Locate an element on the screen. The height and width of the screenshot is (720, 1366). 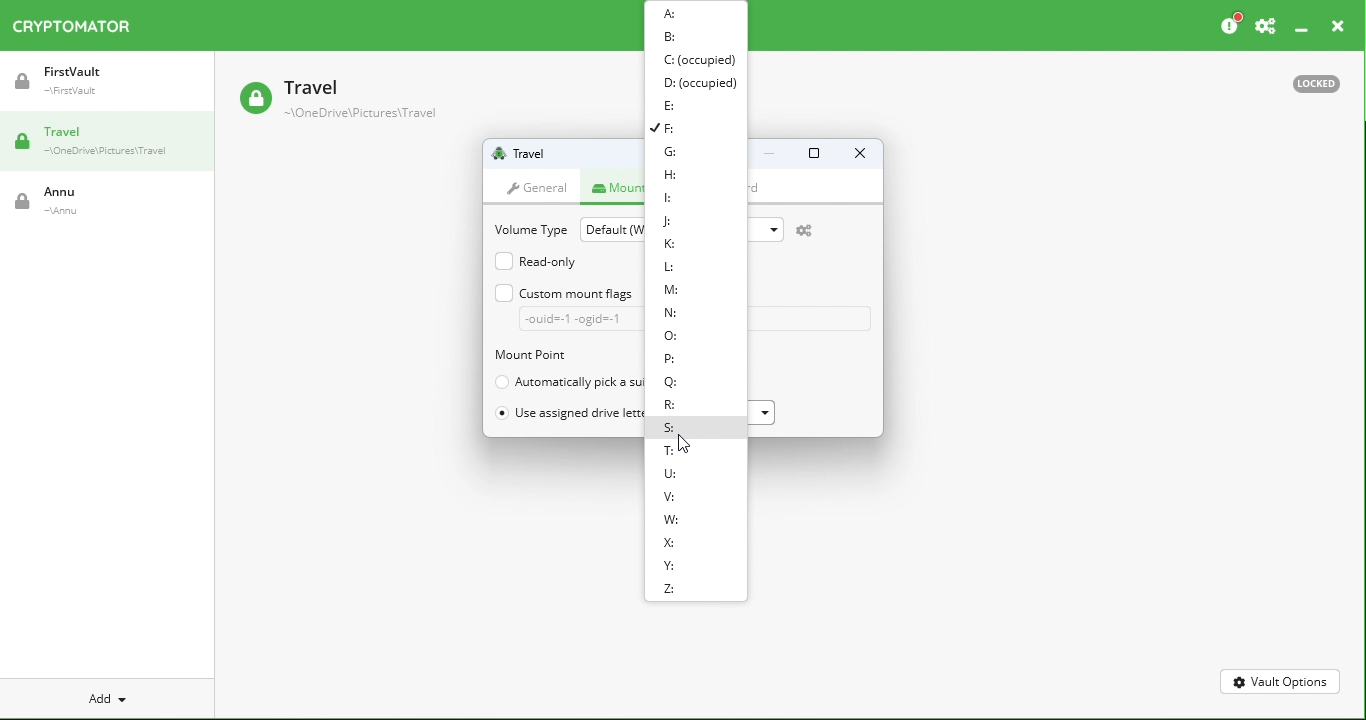
E: is located at coordinates (670, 103).